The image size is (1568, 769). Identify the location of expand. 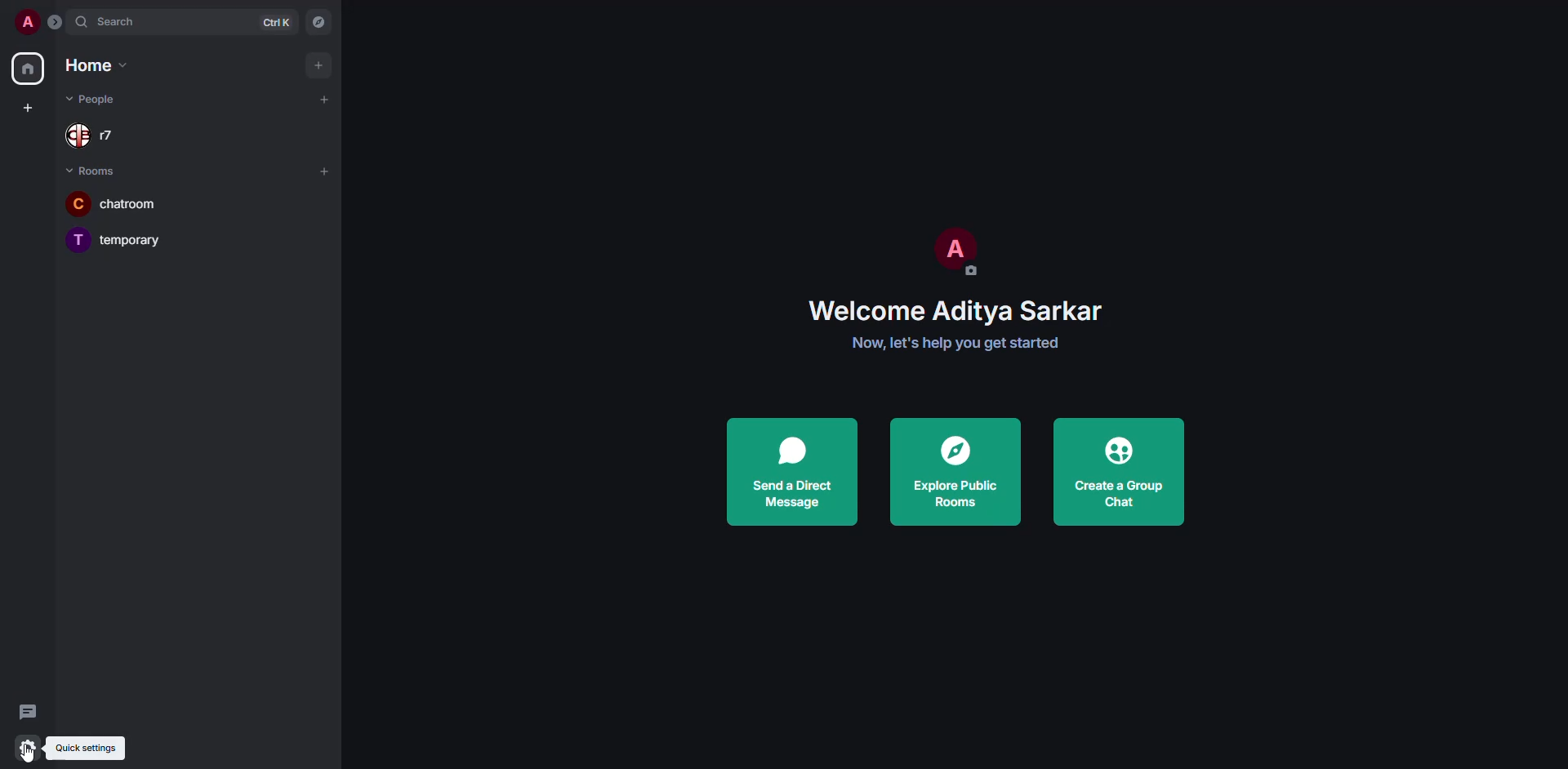
(54, 24).